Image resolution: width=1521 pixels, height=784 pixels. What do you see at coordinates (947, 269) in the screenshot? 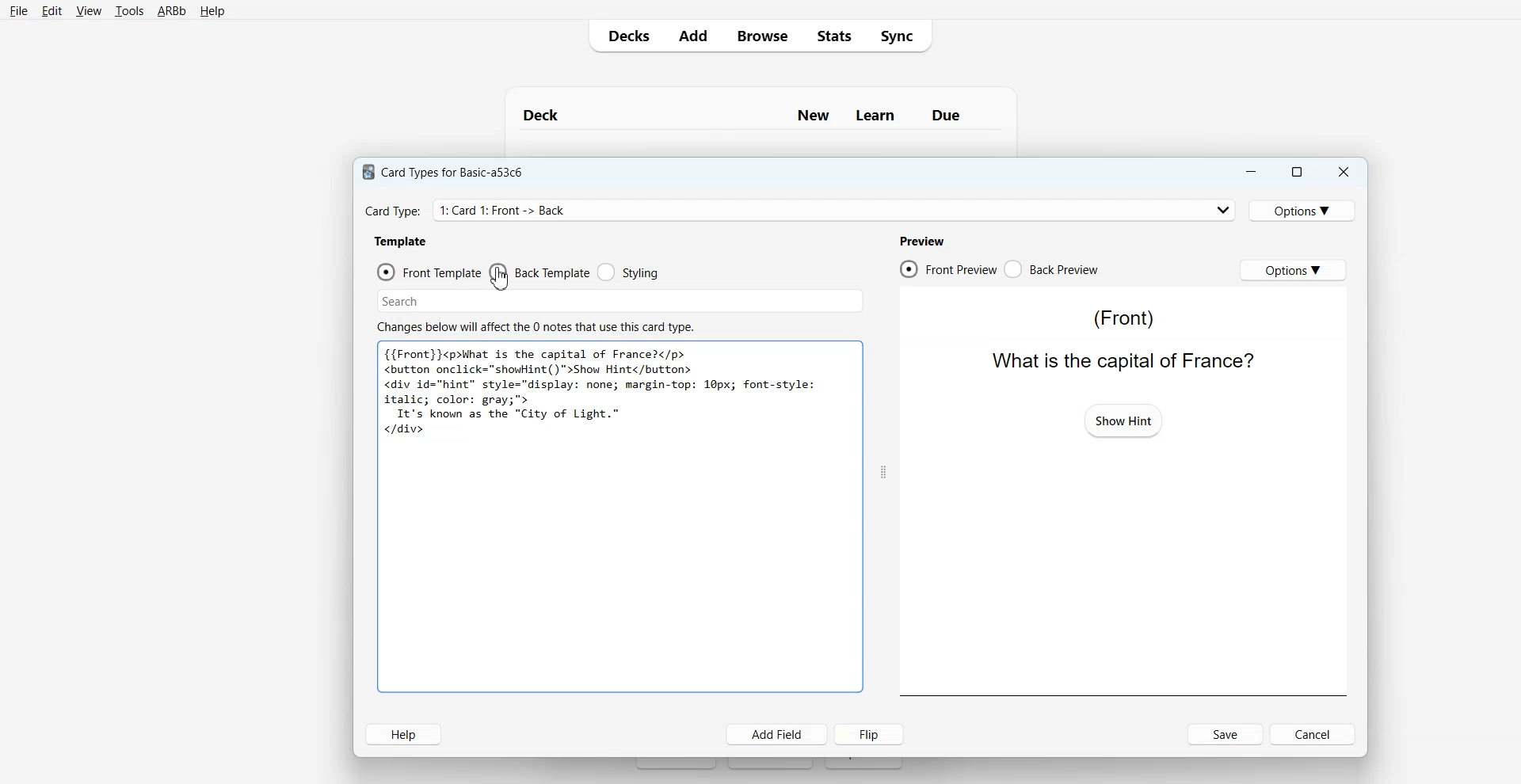
I see `Front Preview` at bounding box center [947, 269].